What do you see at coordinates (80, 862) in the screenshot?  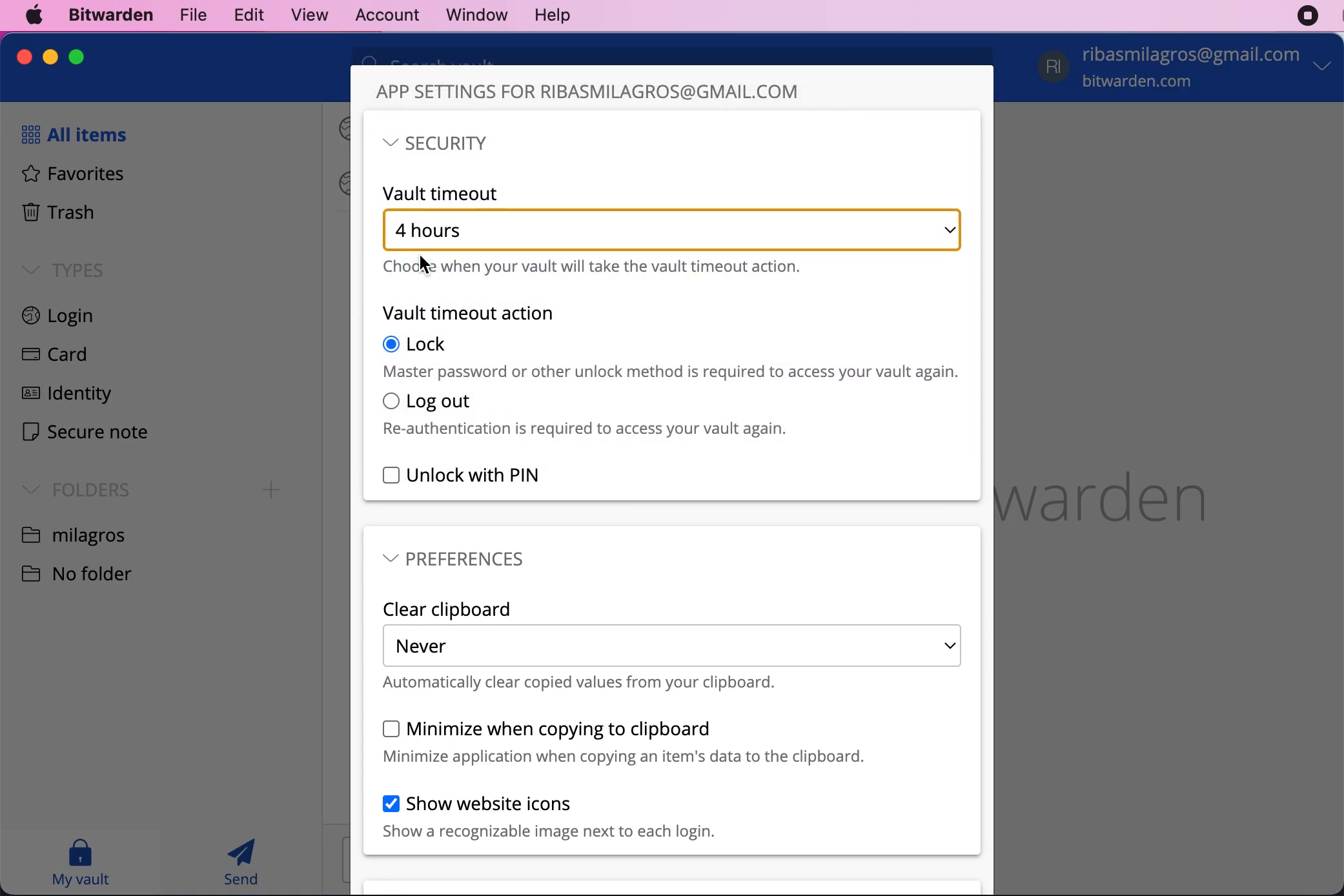 I see `my vault` at bounding box center [80, 862].